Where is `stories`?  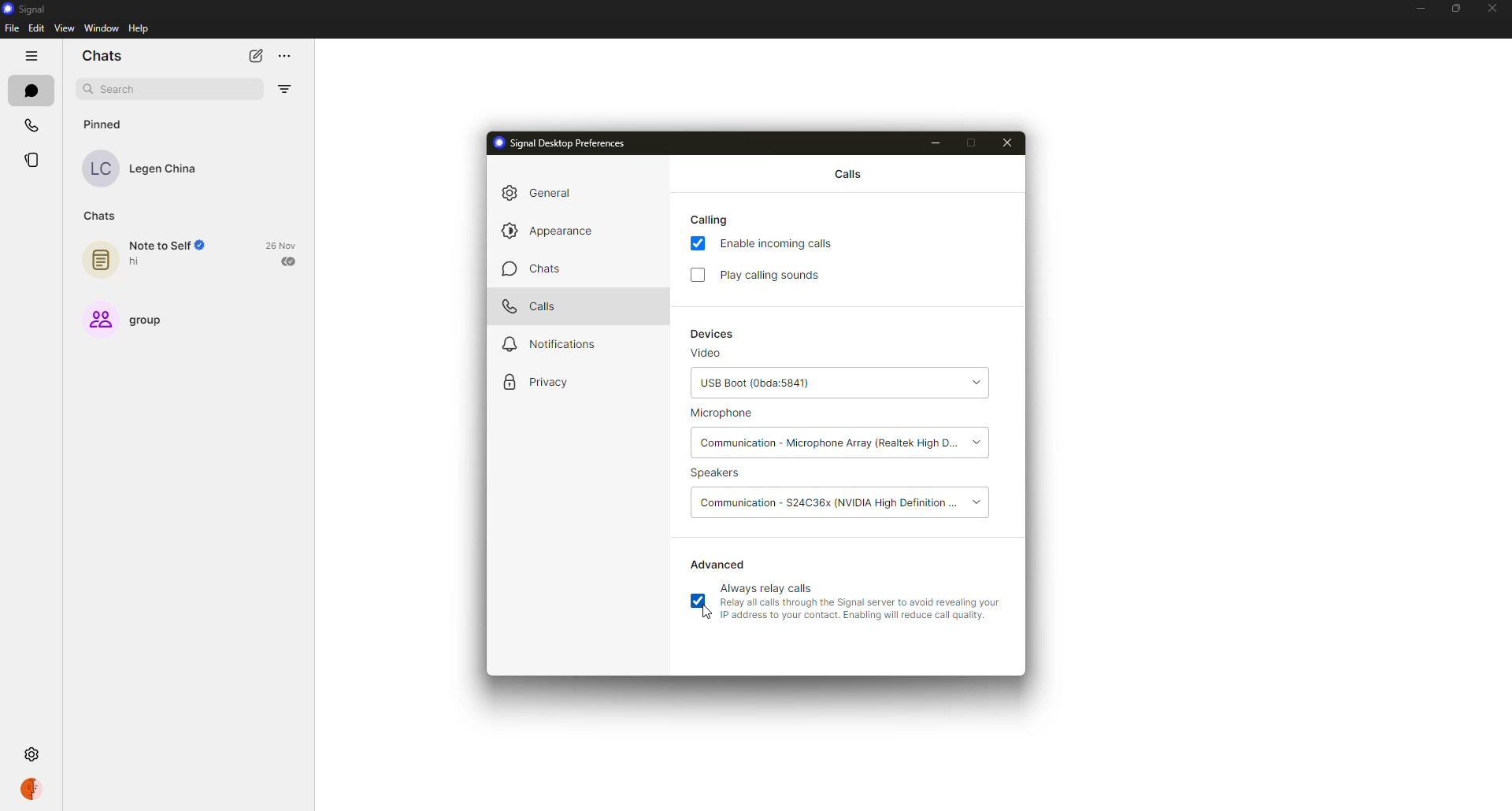
stories is located at coordinates (31, 160).